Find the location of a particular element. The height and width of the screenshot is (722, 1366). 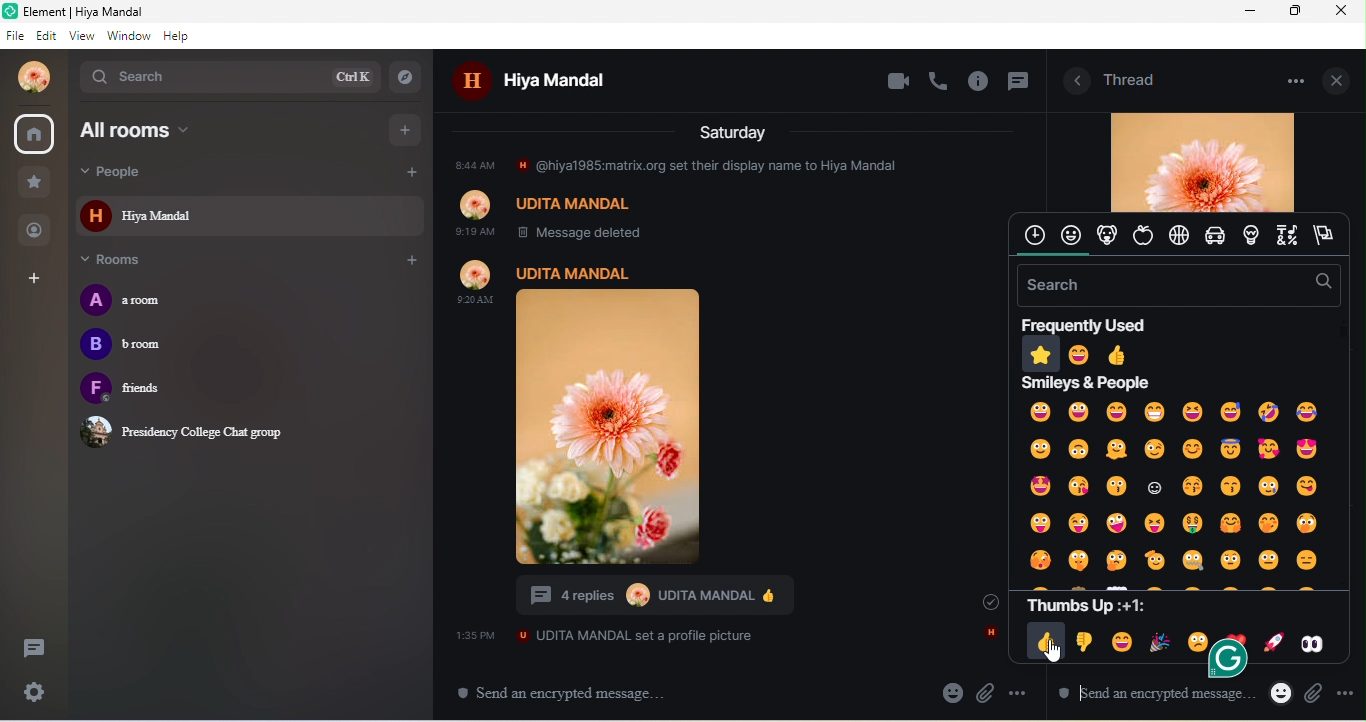

a room is located at coordinates (140, 300).